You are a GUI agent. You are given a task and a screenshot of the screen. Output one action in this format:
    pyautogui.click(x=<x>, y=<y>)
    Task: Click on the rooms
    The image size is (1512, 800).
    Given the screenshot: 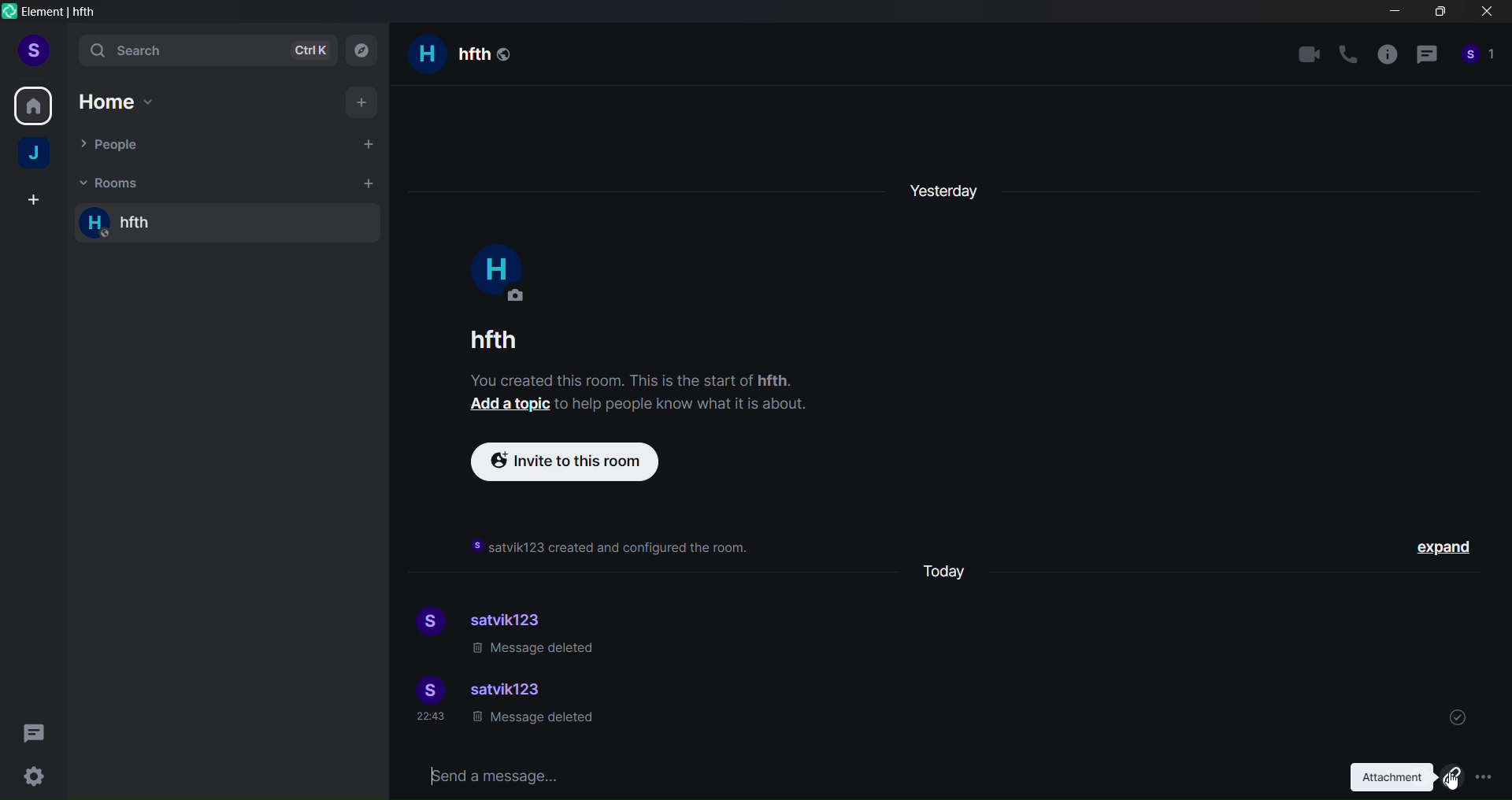 What is the action you would take?
    pyautogui.click(x=111, y=181)
    